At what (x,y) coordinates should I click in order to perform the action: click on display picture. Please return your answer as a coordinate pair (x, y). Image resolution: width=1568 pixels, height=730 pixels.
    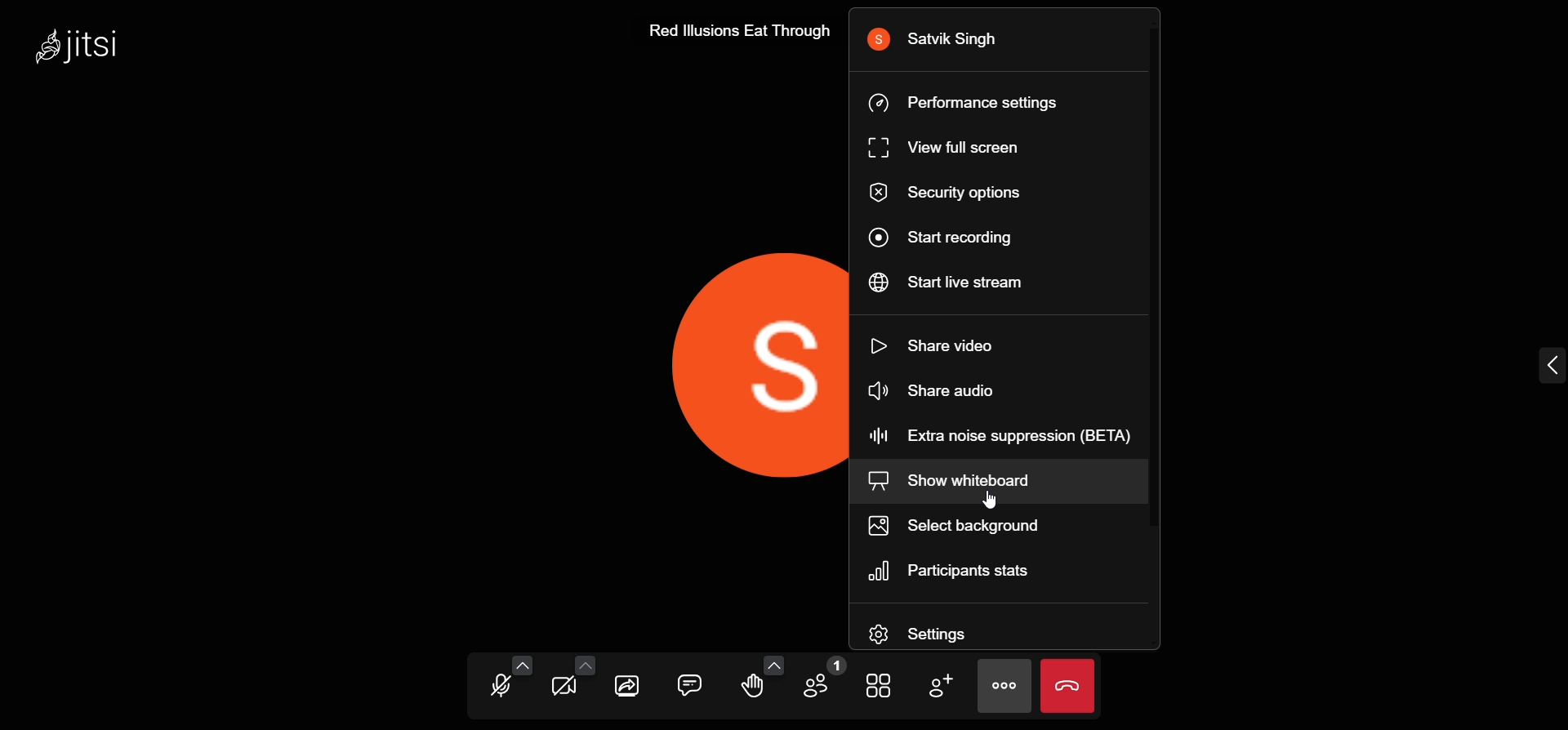
    Looking at the image, I should click on (743, 364).